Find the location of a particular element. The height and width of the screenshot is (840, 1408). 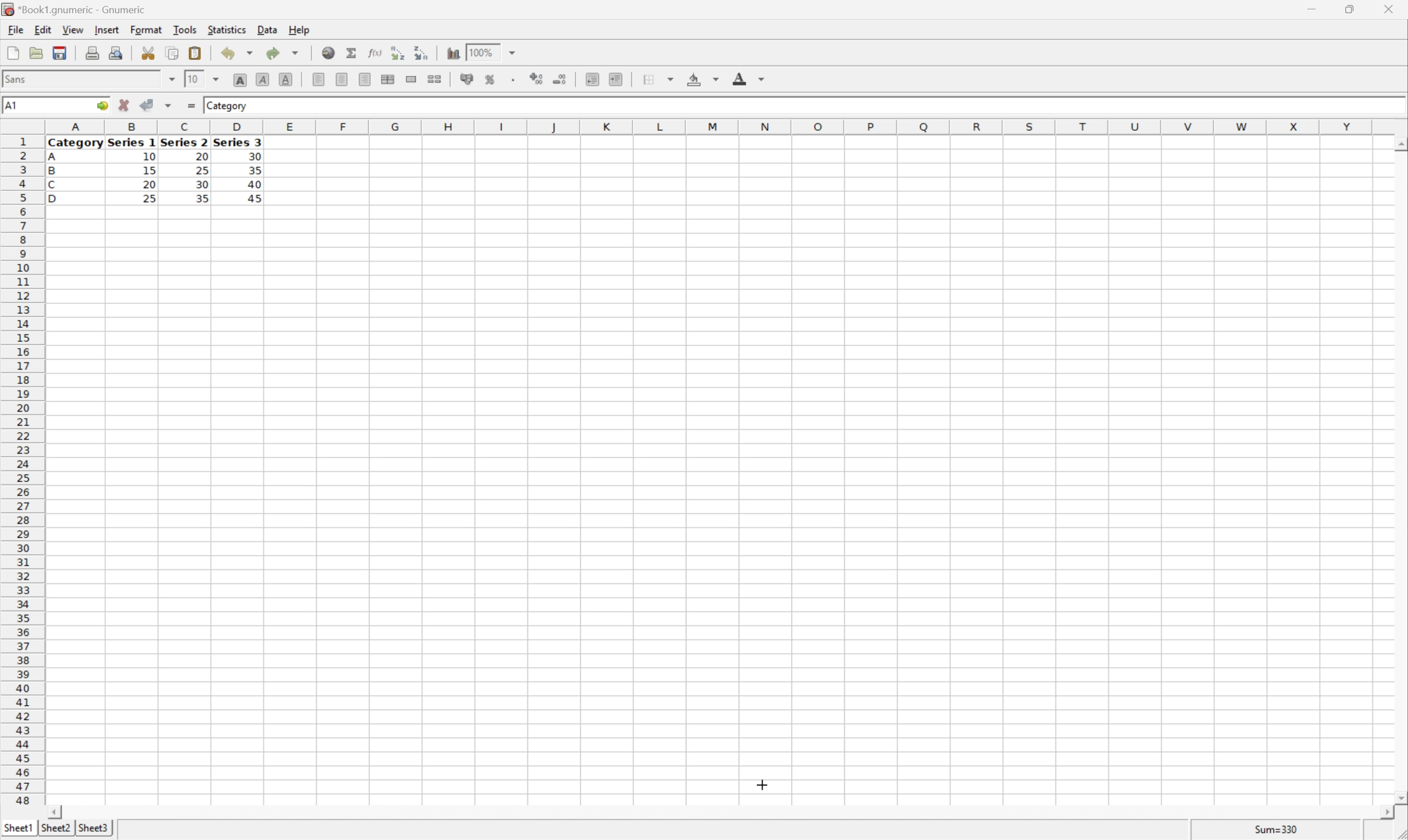

Increase indent, and align the contents to the left is located at coordinates (615, 80).